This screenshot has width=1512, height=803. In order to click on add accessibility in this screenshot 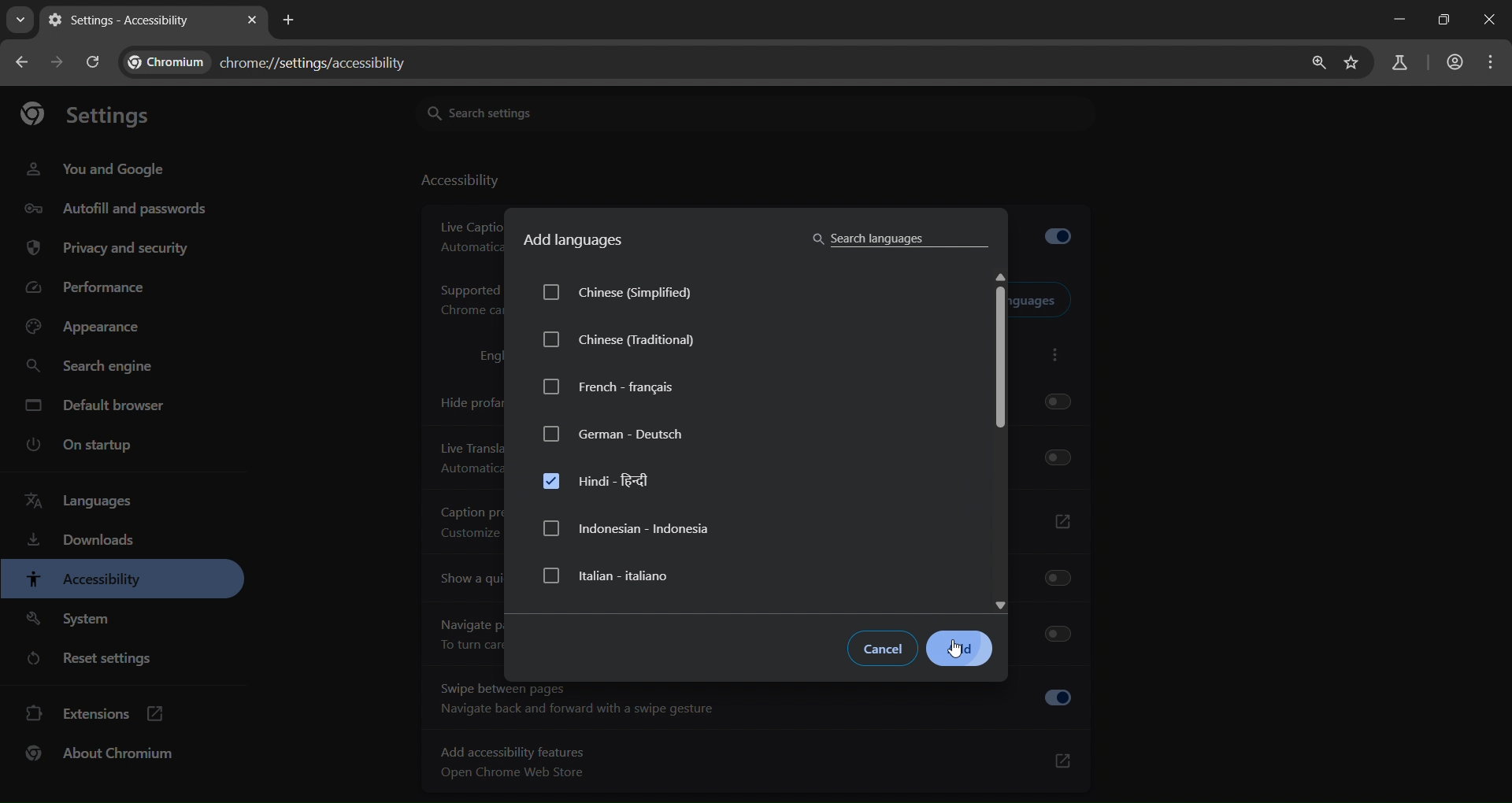, I will do `click(757, 761)`.